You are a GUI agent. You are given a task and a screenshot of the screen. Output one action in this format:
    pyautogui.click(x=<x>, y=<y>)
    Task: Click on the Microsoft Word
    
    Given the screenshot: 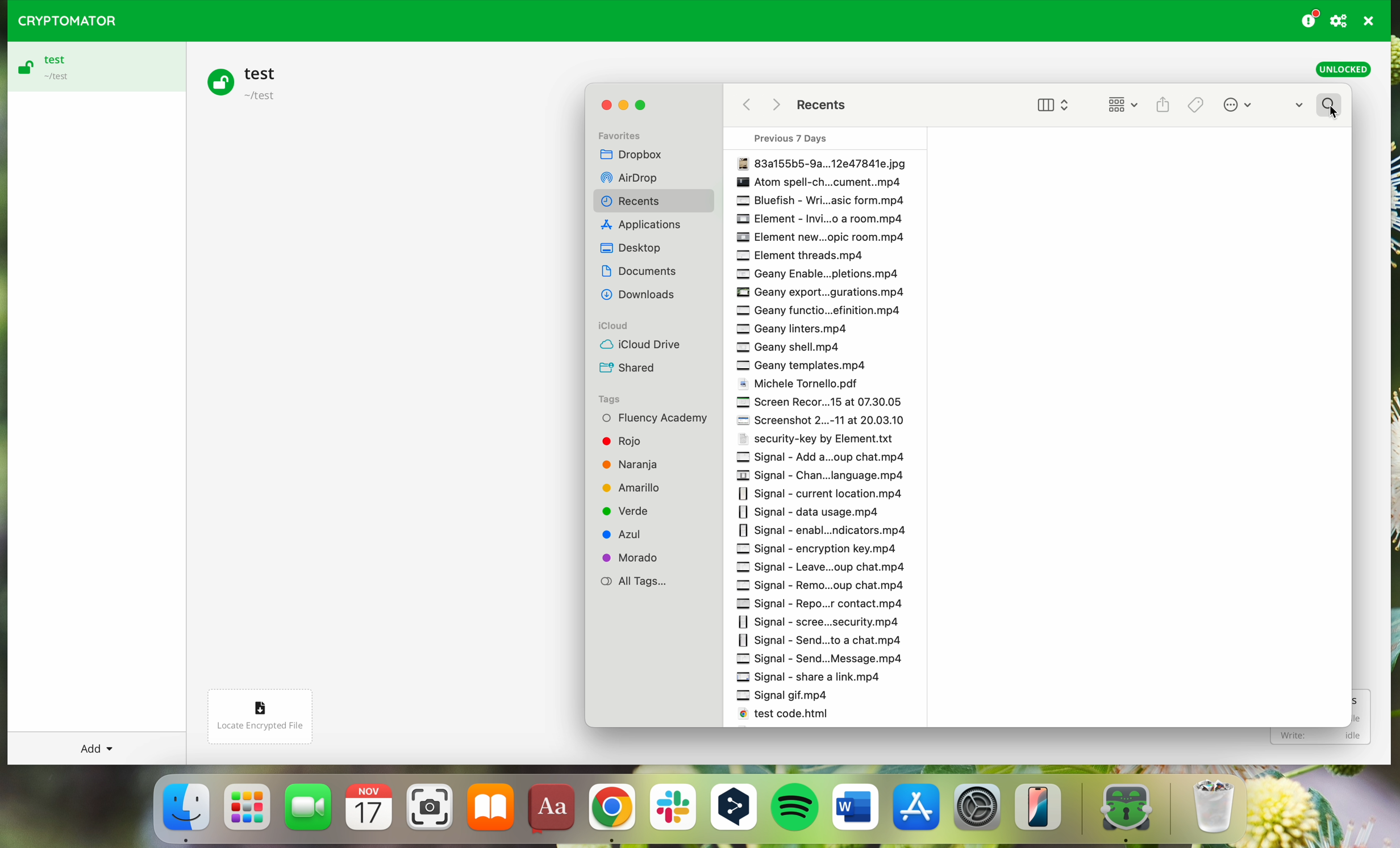 What is the action you would take?
    pyautogui.click(x=856, y=811)
    